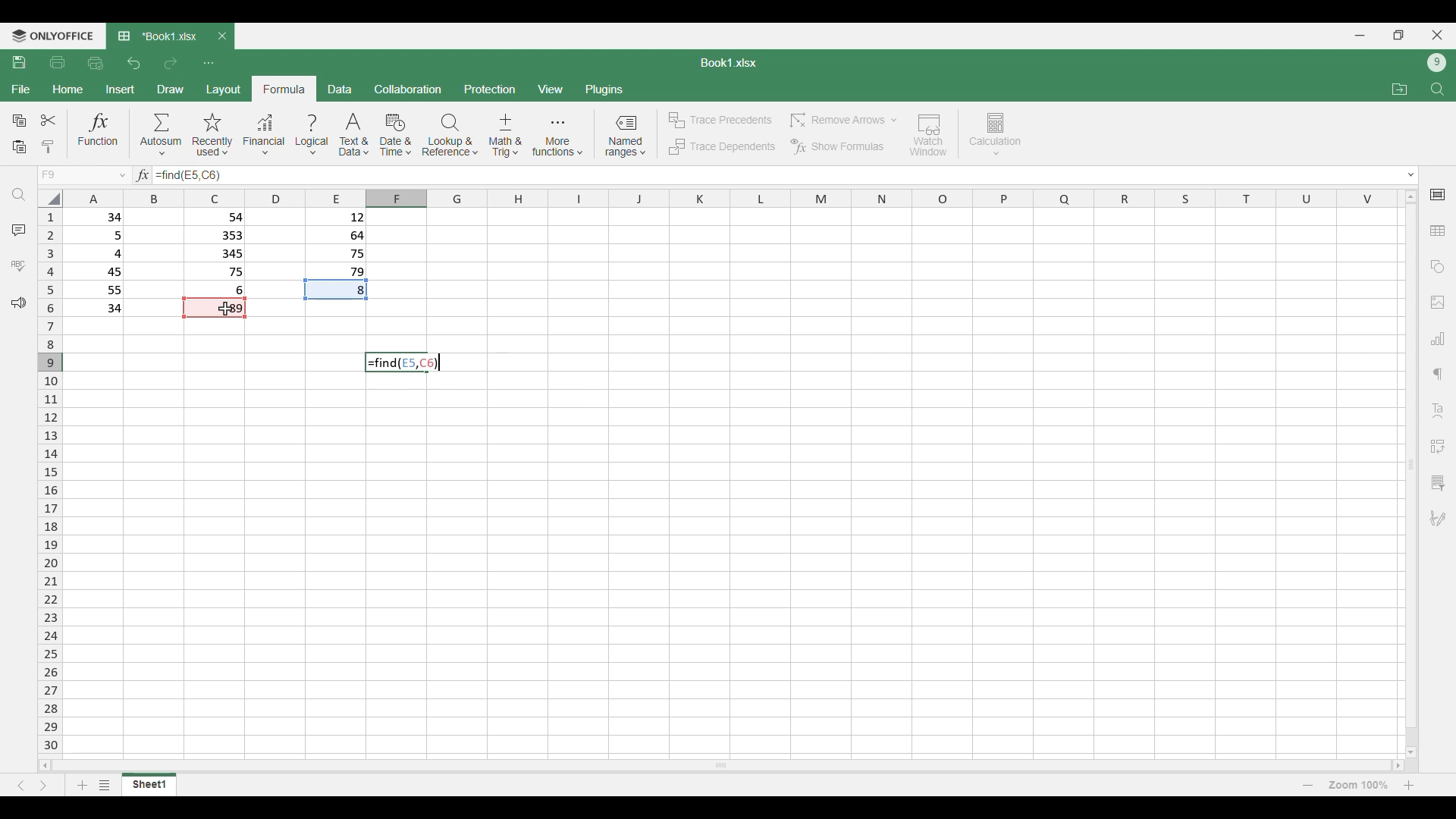  Describe the element at coordinates (80, 175) in the screenshot. I see `Choose cell name` at that location.